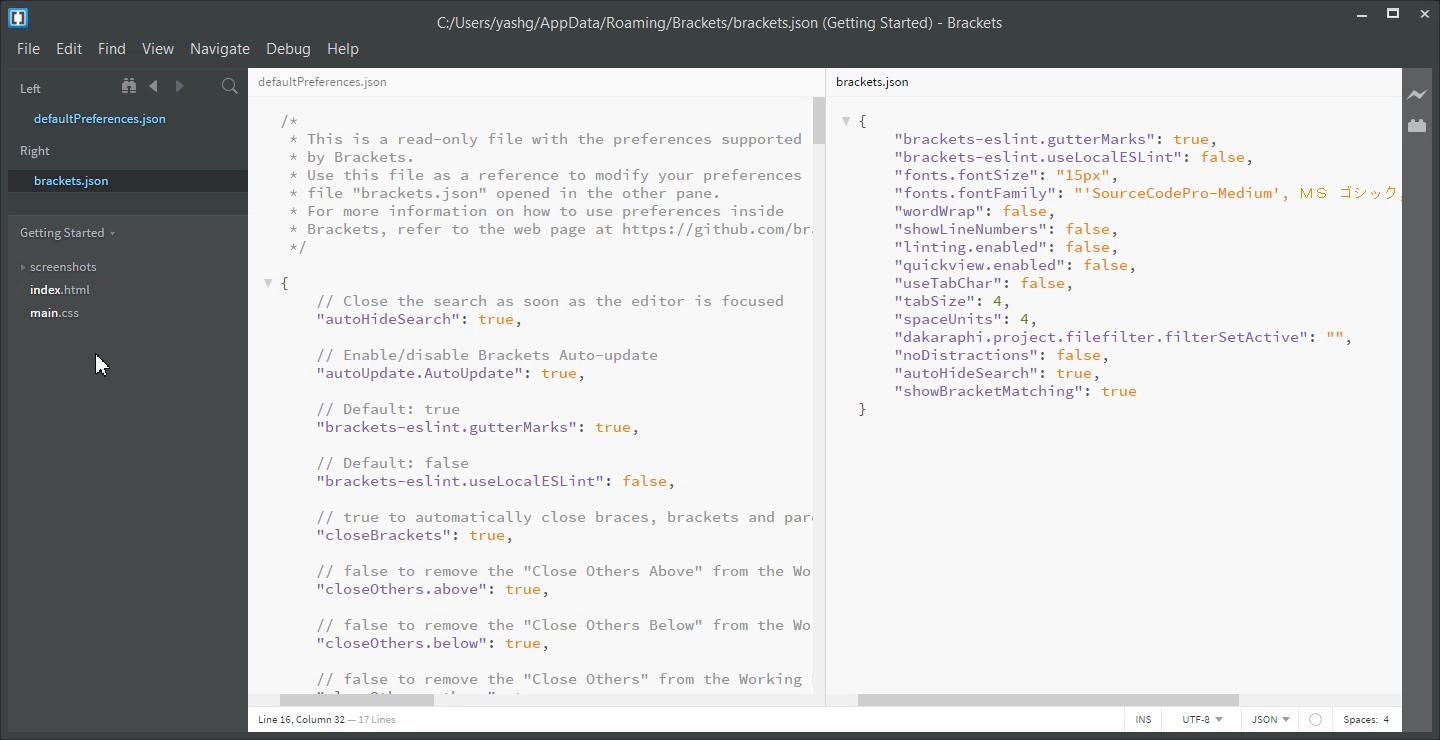  Describe the element at coordinates (131, 86) in the screenshot. I see `Show in the file tree` at that location.